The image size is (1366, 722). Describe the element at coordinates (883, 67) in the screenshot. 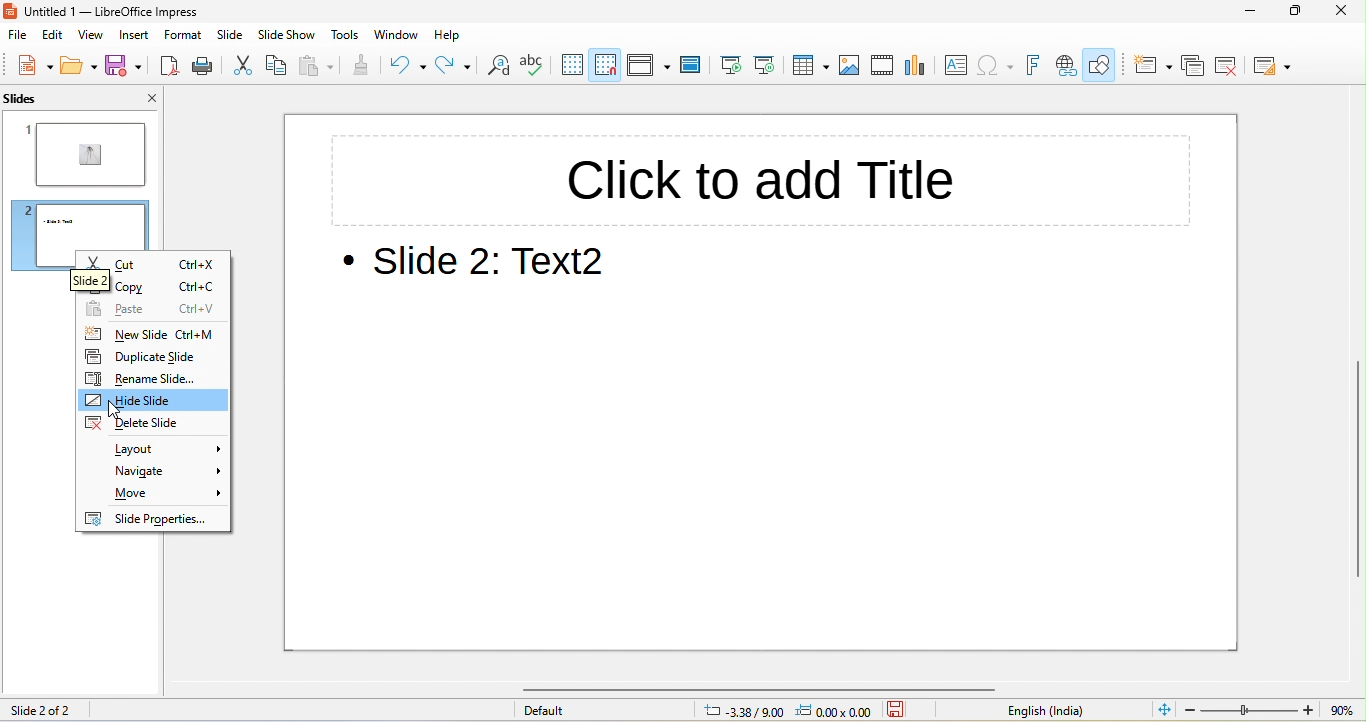

I see `video` at that location.